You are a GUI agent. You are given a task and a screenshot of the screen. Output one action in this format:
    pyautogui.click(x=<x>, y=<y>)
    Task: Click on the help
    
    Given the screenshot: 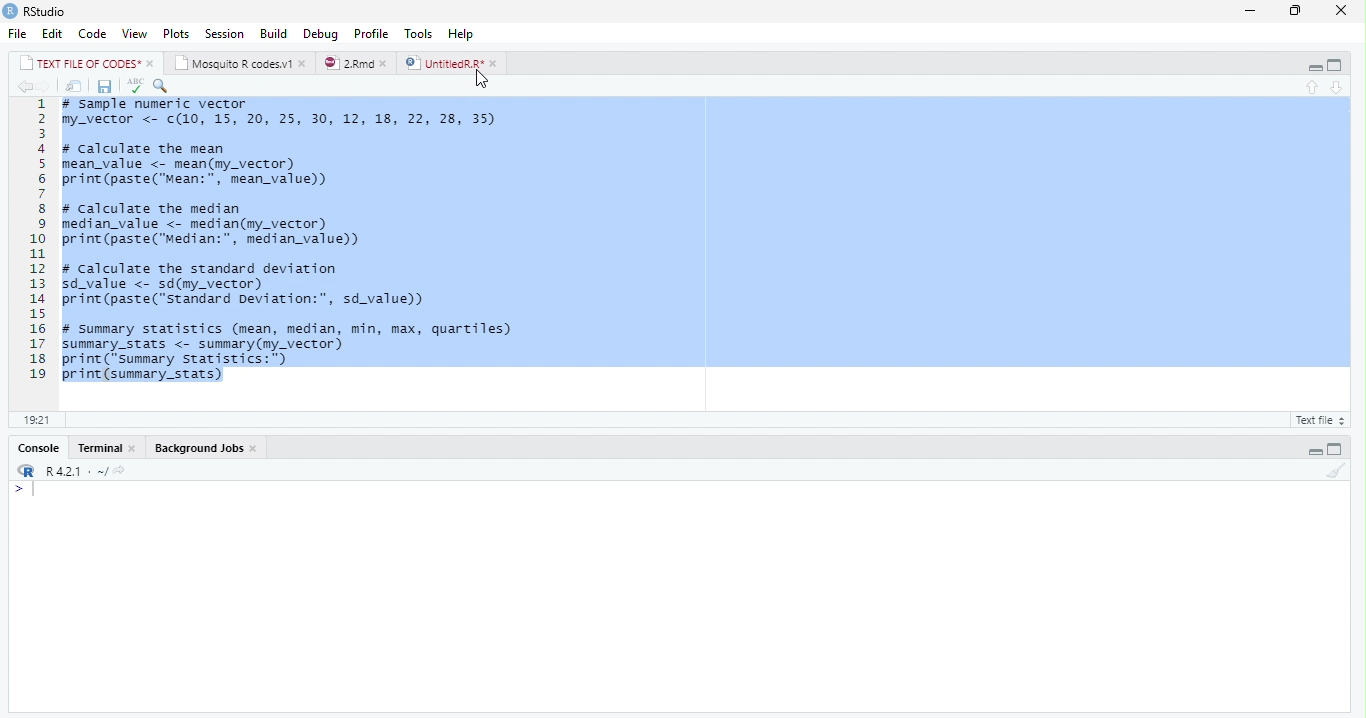 What is the action you would take?
    pyautogui.click(x=461, y=34)
    